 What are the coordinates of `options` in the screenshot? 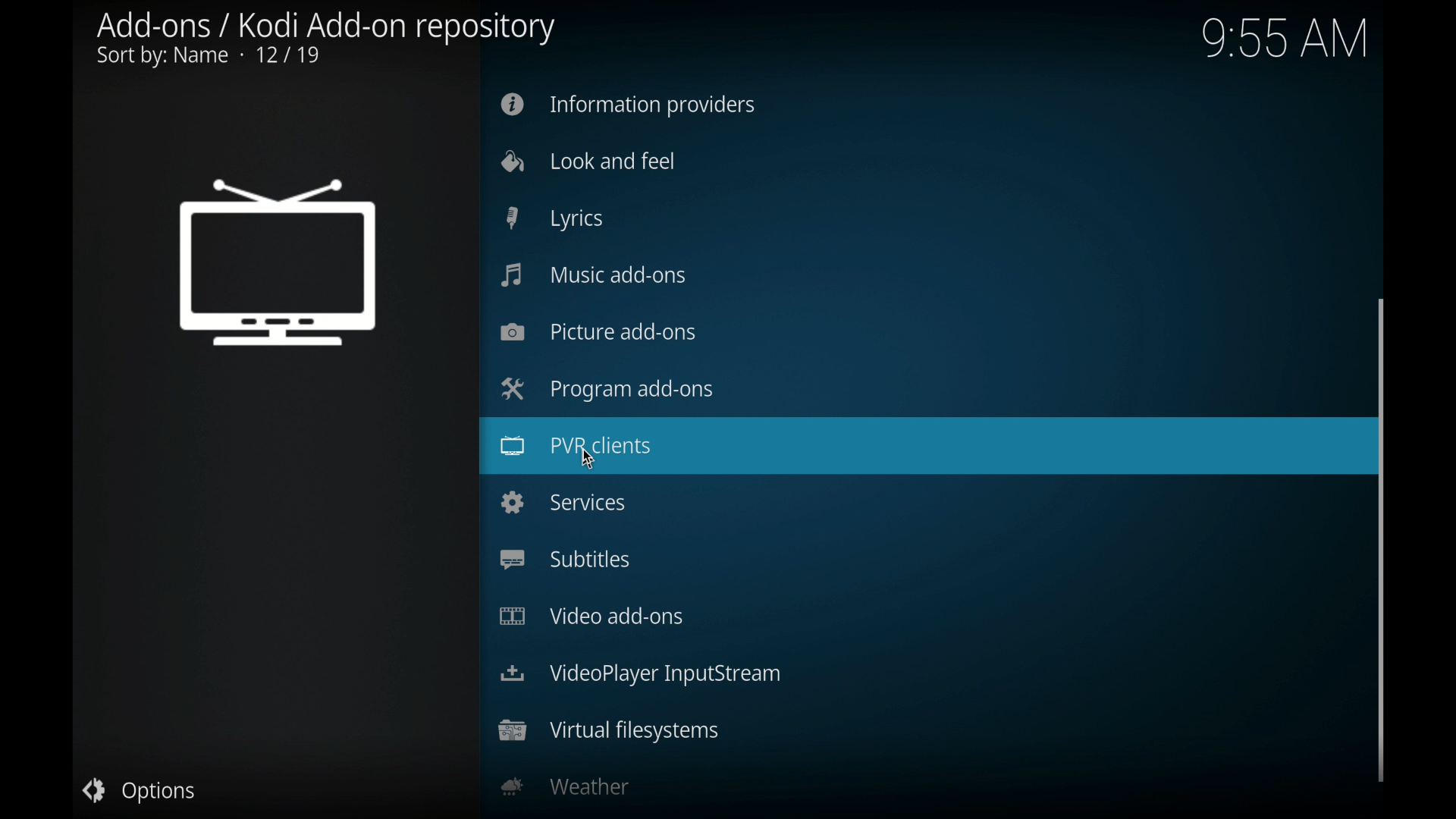 It's located at (138, 791).